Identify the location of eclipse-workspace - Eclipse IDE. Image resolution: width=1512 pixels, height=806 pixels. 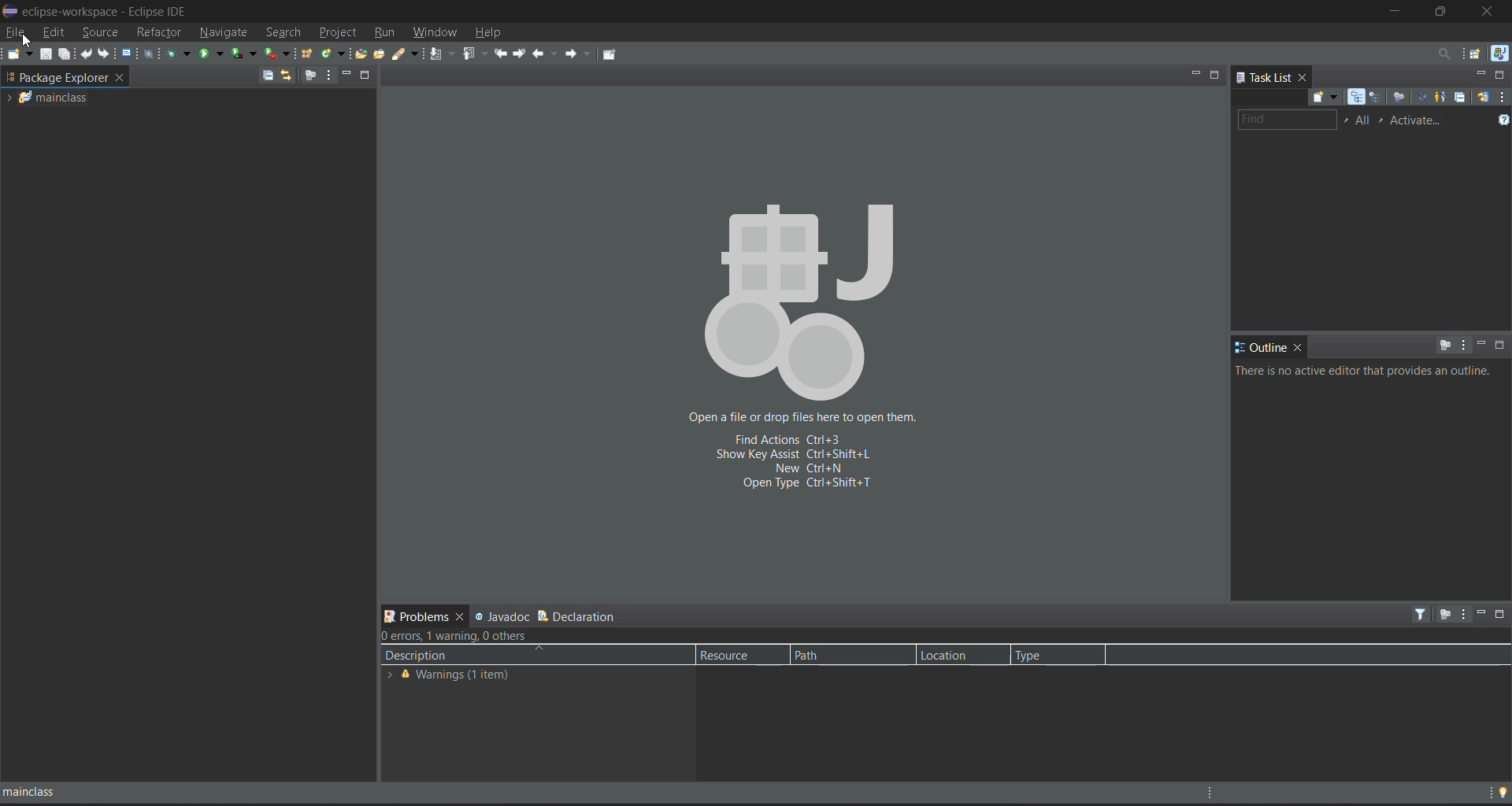
(98, 9).